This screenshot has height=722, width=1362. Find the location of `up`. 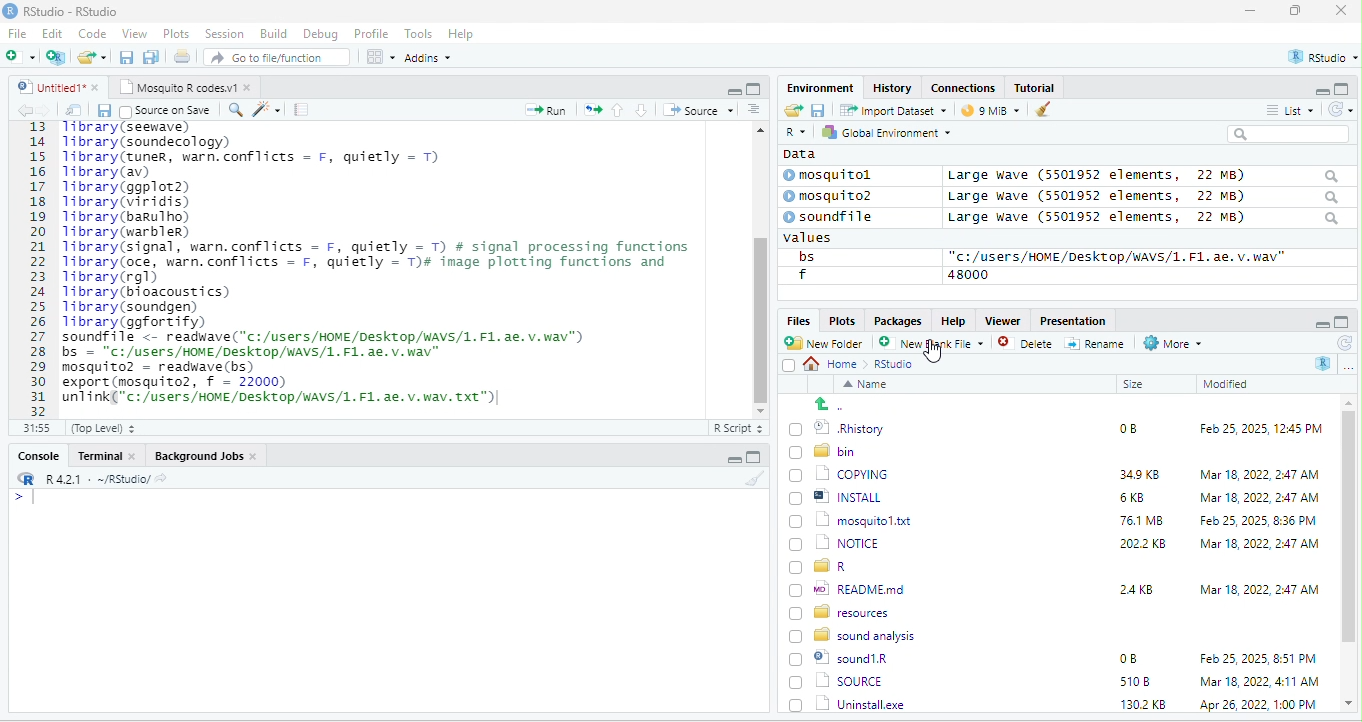

up is located at coordinates (619, 109).